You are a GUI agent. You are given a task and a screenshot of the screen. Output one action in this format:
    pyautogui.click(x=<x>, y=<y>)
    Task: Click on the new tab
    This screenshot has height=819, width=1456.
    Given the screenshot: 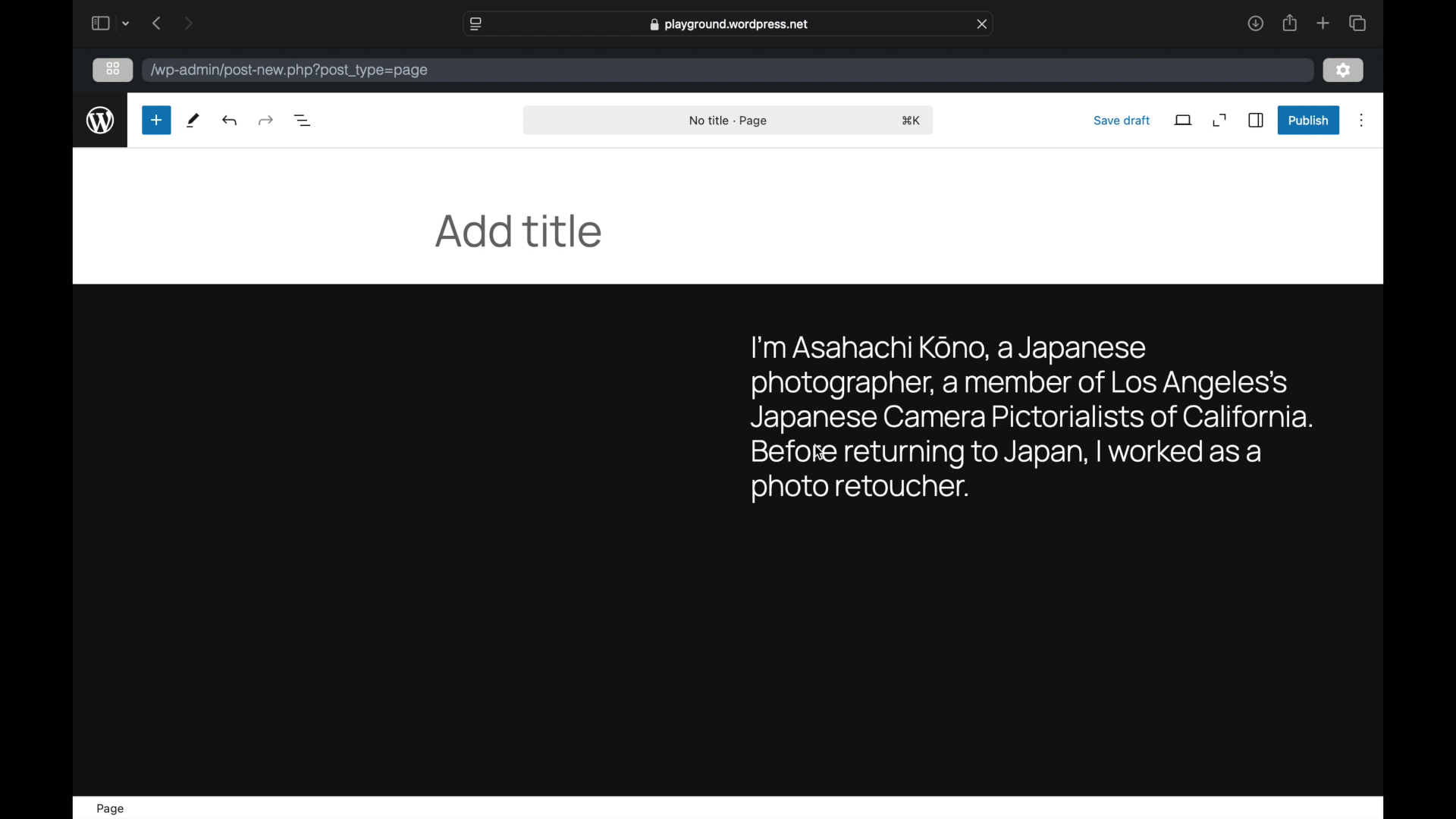 What is the action you would take?
    pyautogui.click(x=1323, y=23)
    